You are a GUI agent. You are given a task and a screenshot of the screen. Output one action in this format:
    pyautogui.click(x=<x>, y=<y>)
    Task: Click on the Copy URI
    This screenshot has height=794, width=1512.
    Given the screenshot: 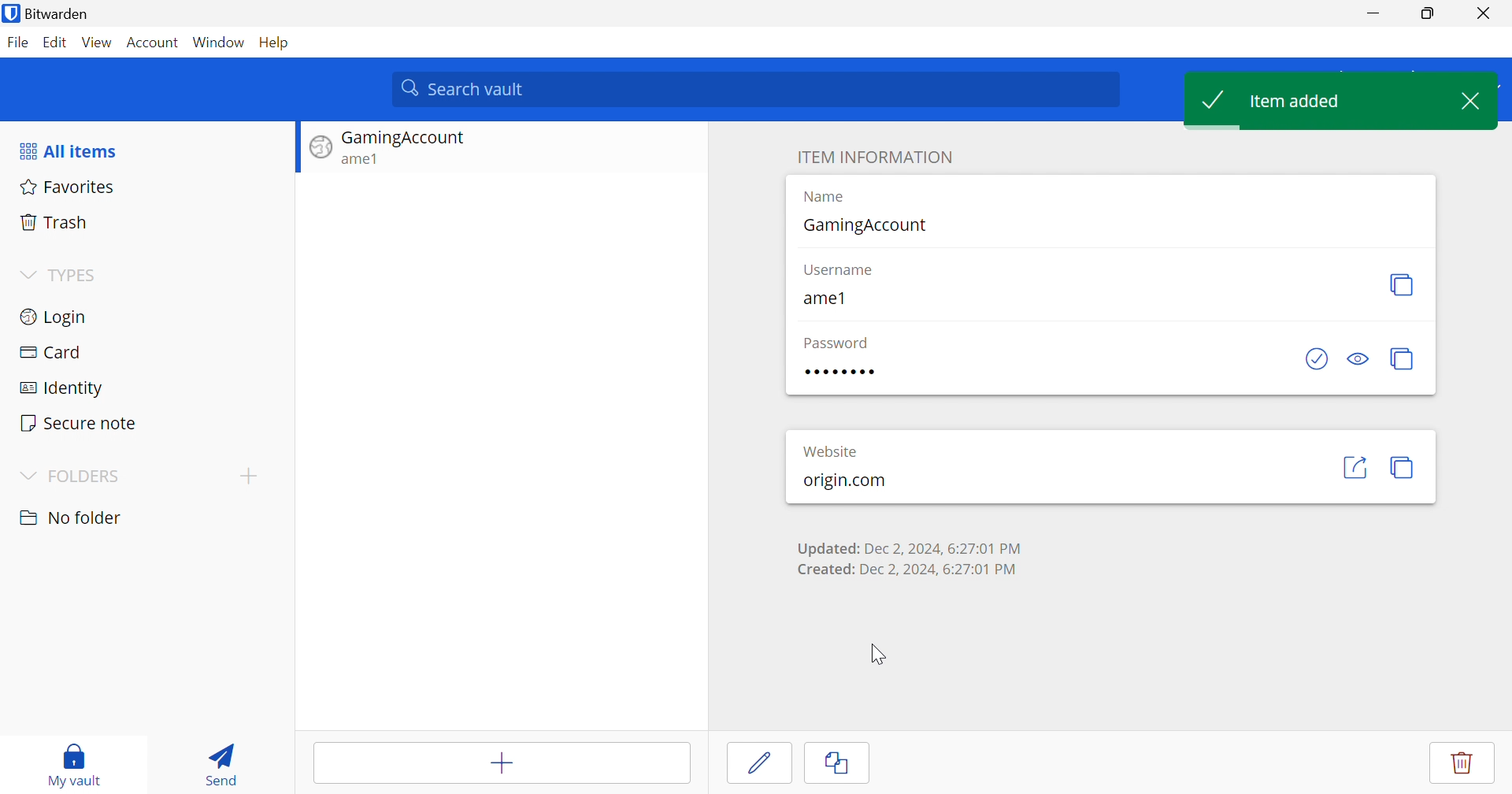 What is the action you would take?
    pyautogui.click(x=1403, y=466)
    